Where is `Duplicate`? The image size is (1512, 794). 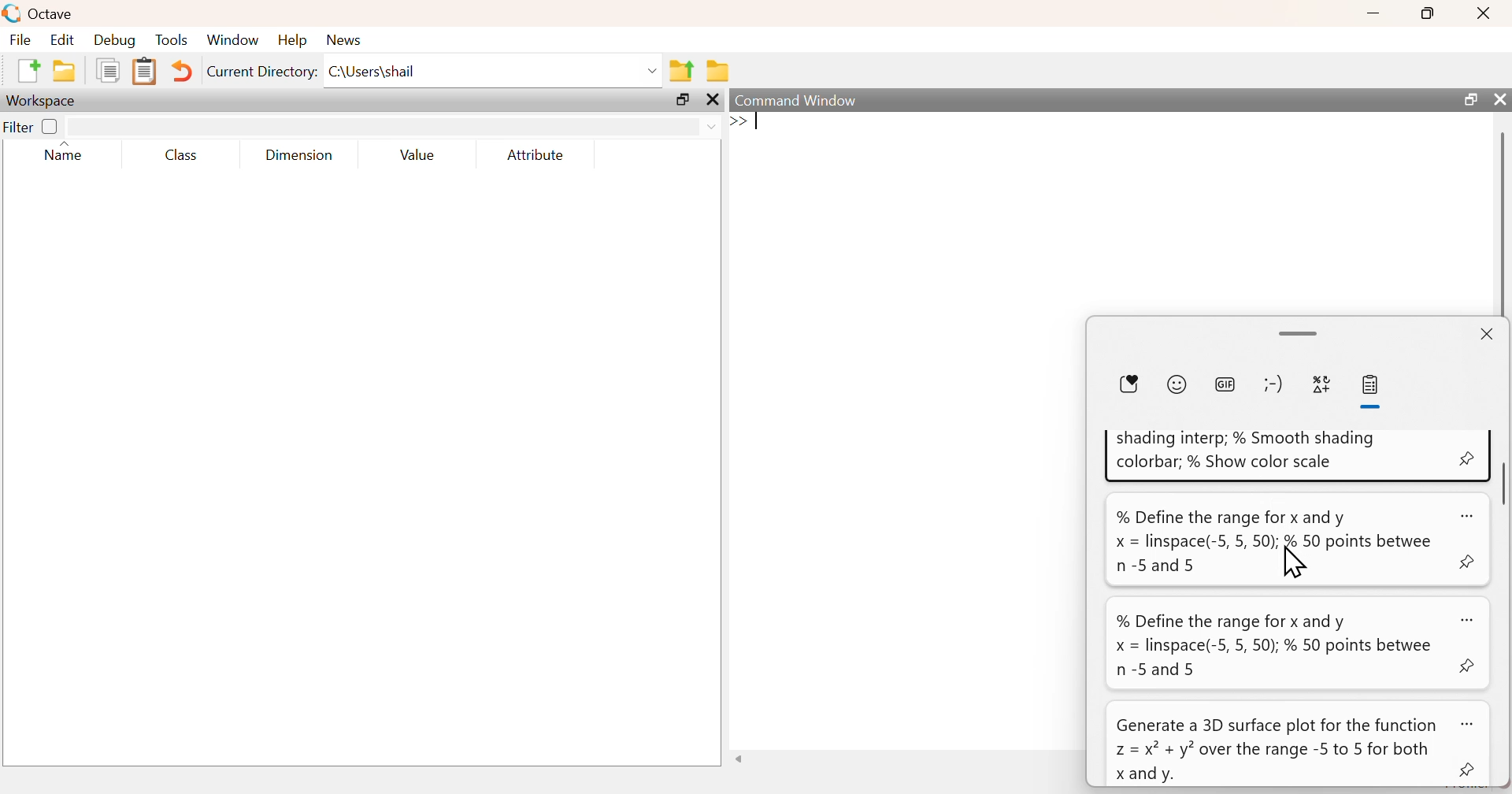 Duplicate is located at coordinates (109, 70).